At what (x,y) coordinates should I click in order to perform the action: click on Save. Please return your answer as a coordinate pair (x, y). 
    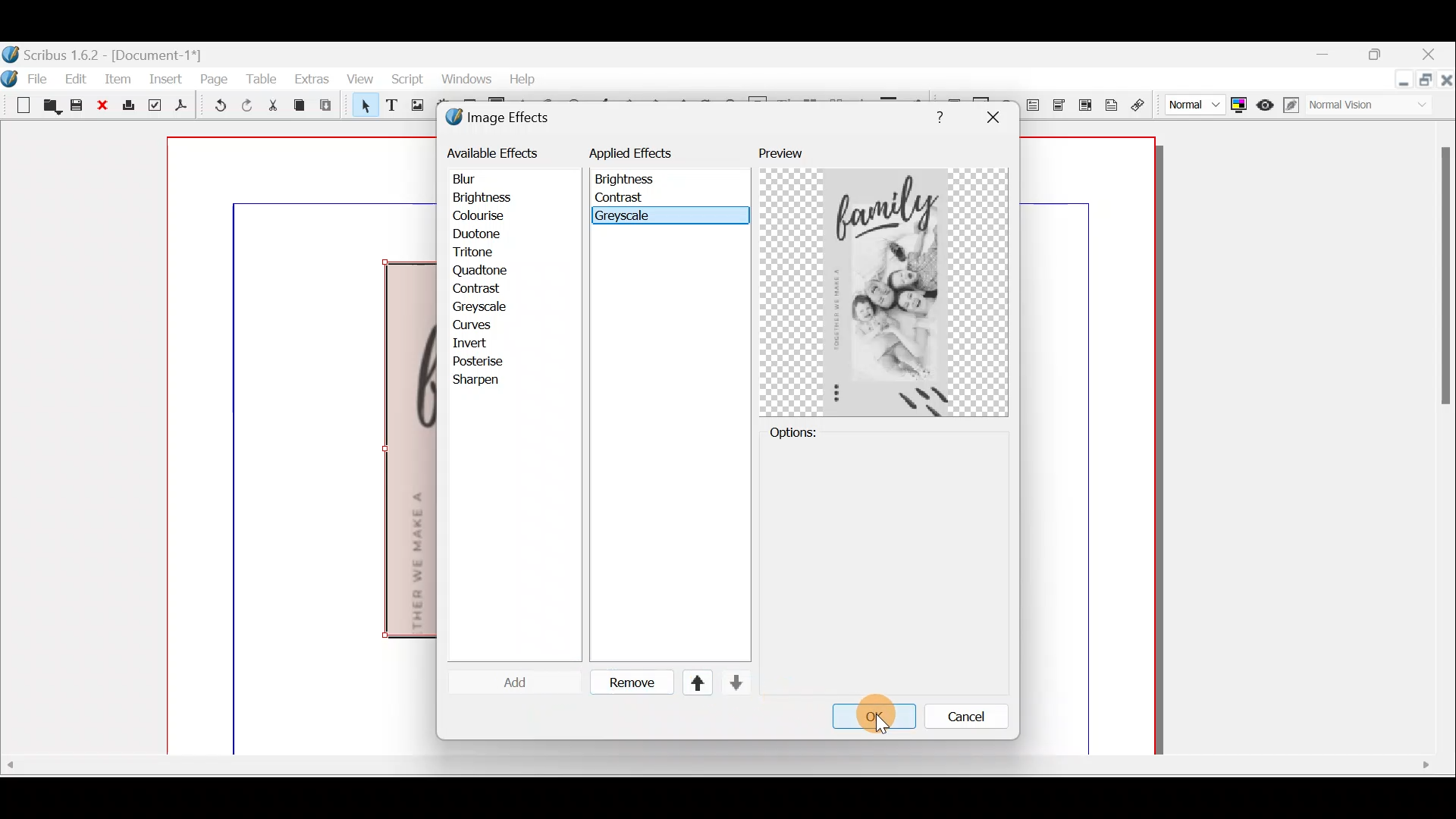
    Looking at the image, I should click on (75, 105).